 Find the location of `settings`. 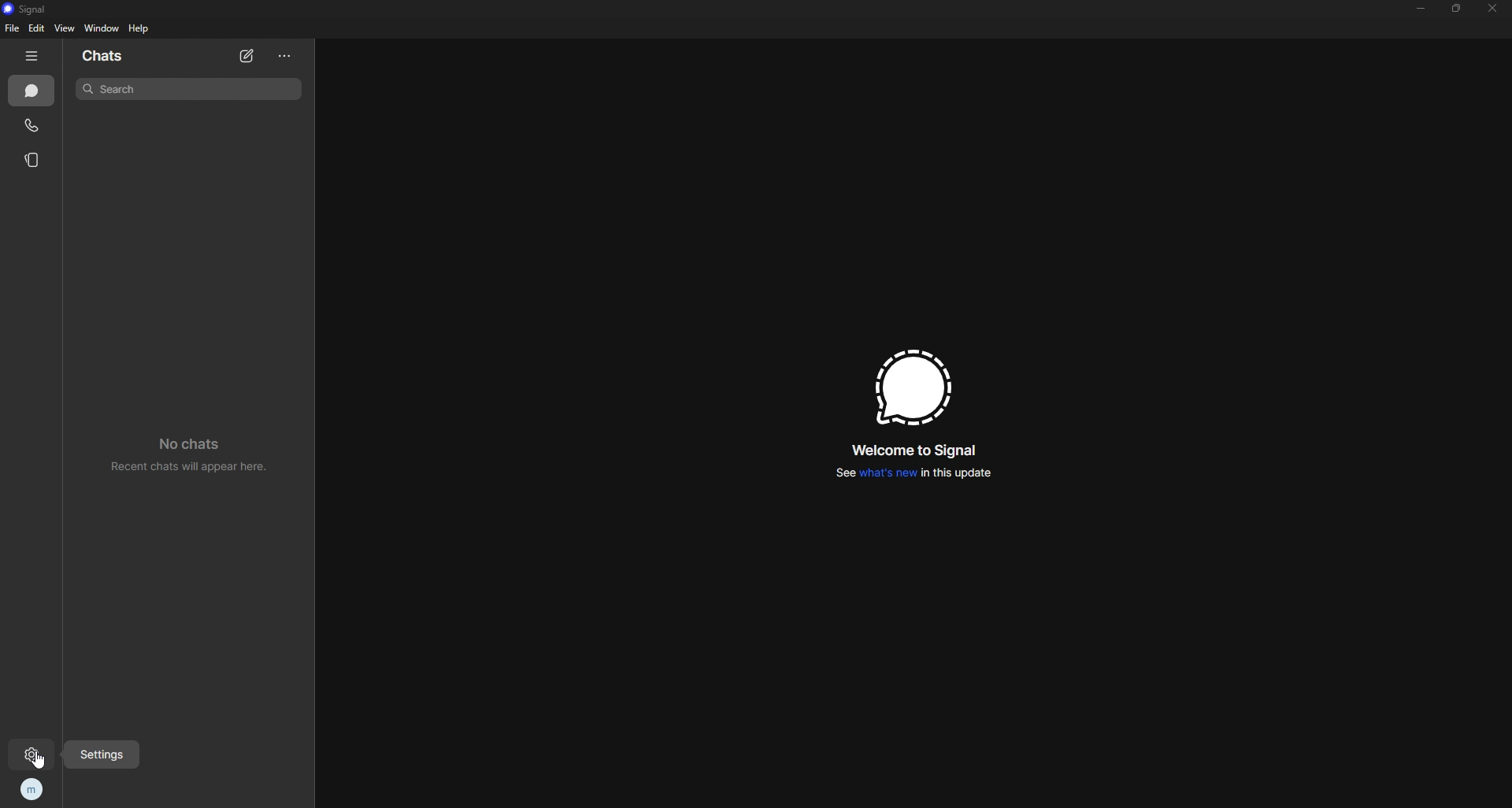

settings is located at coordinates (35, 755).